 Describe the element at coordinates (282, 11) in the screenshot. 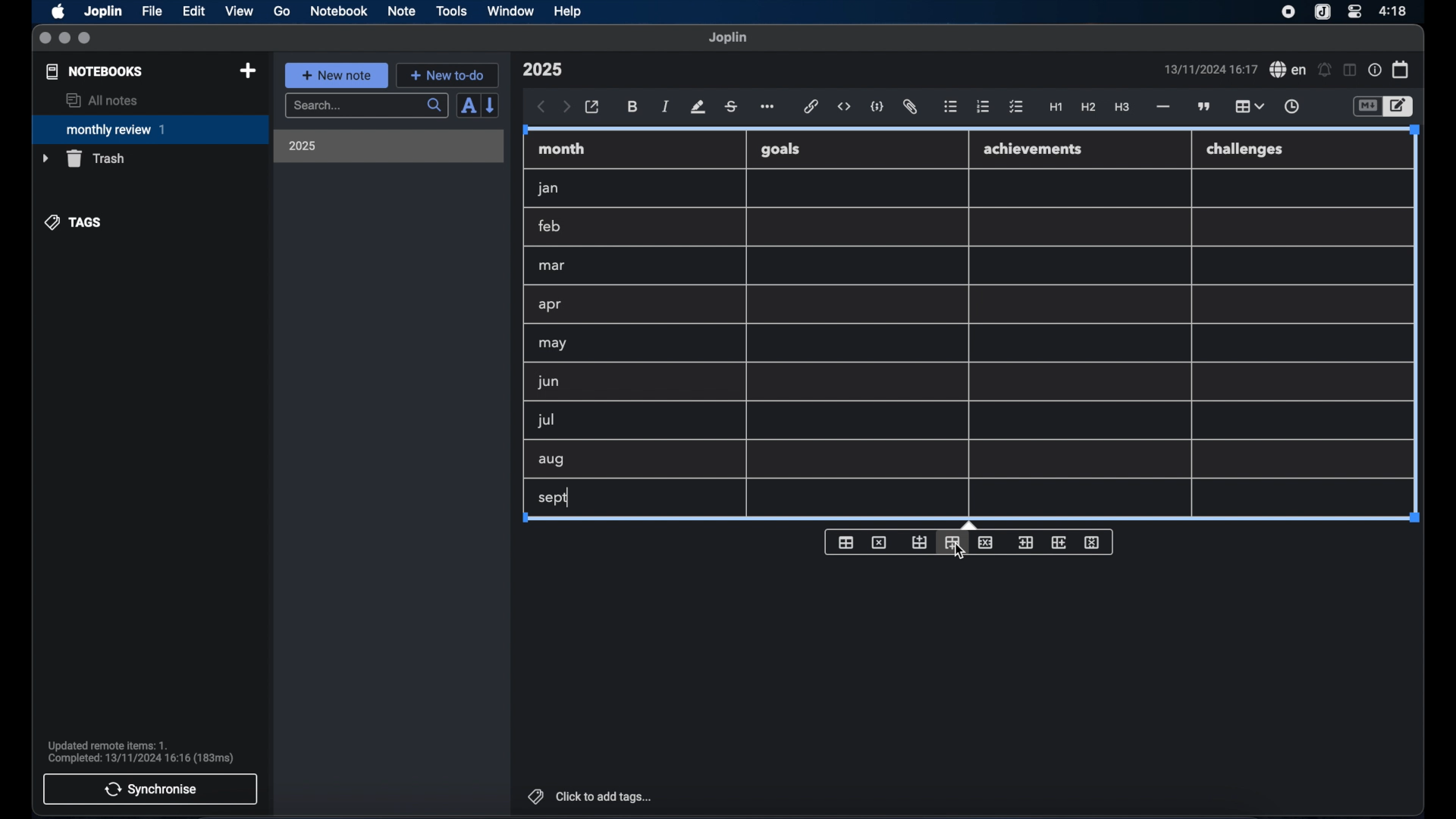

I see `go` at that location.